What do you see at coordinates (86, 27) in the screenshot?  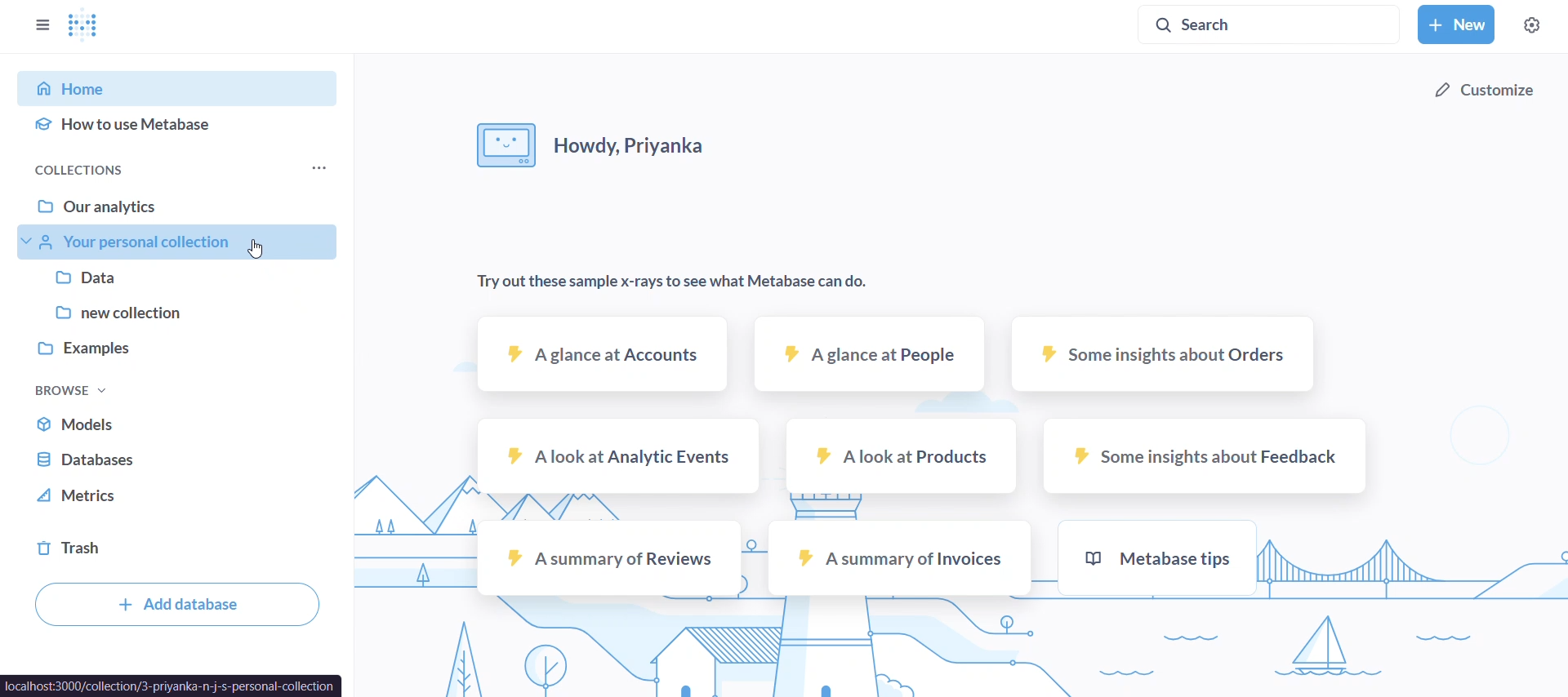 I see `logo` at bounding box center [86, 27].